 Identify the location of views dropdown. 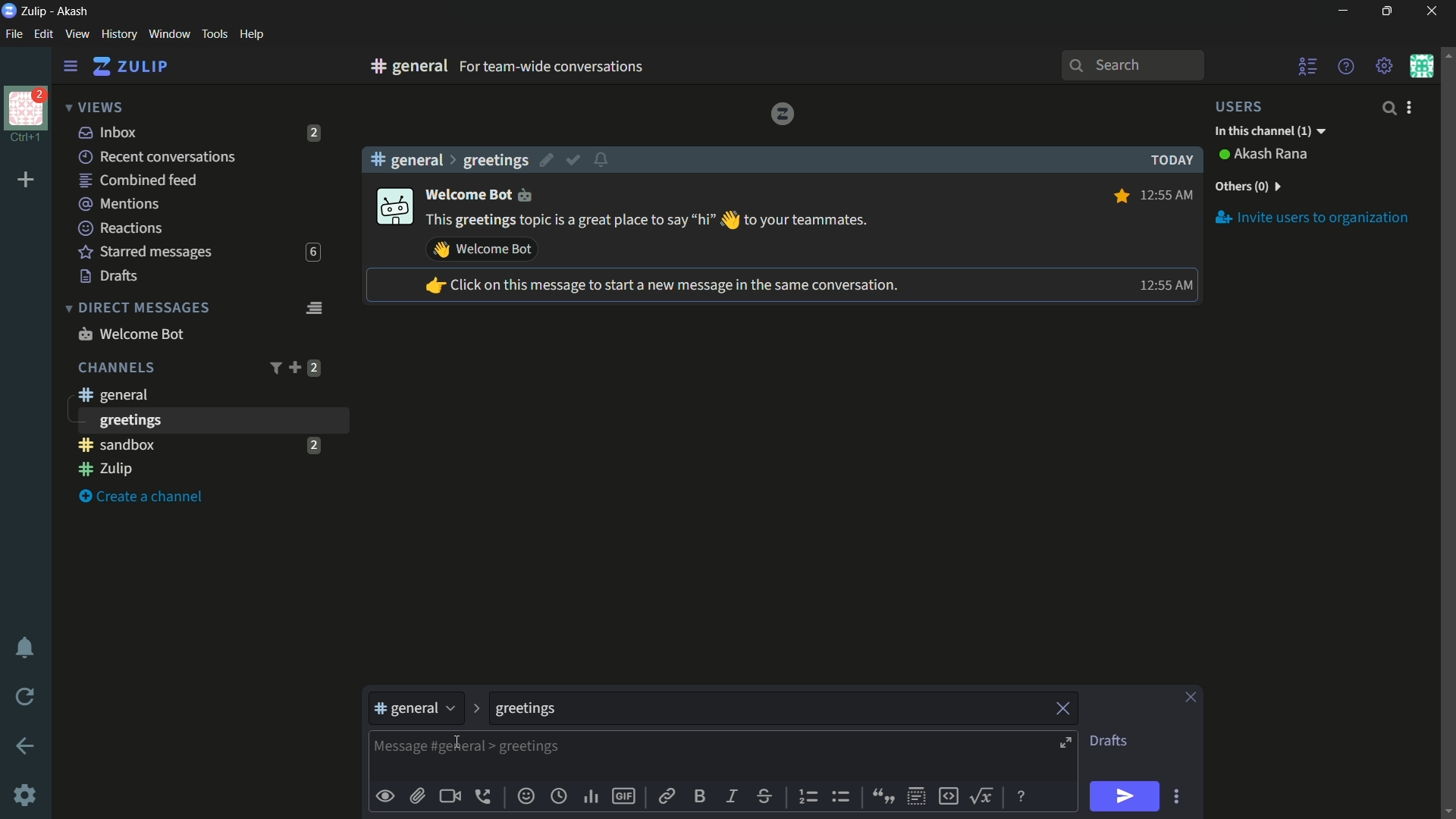
(94, 108).